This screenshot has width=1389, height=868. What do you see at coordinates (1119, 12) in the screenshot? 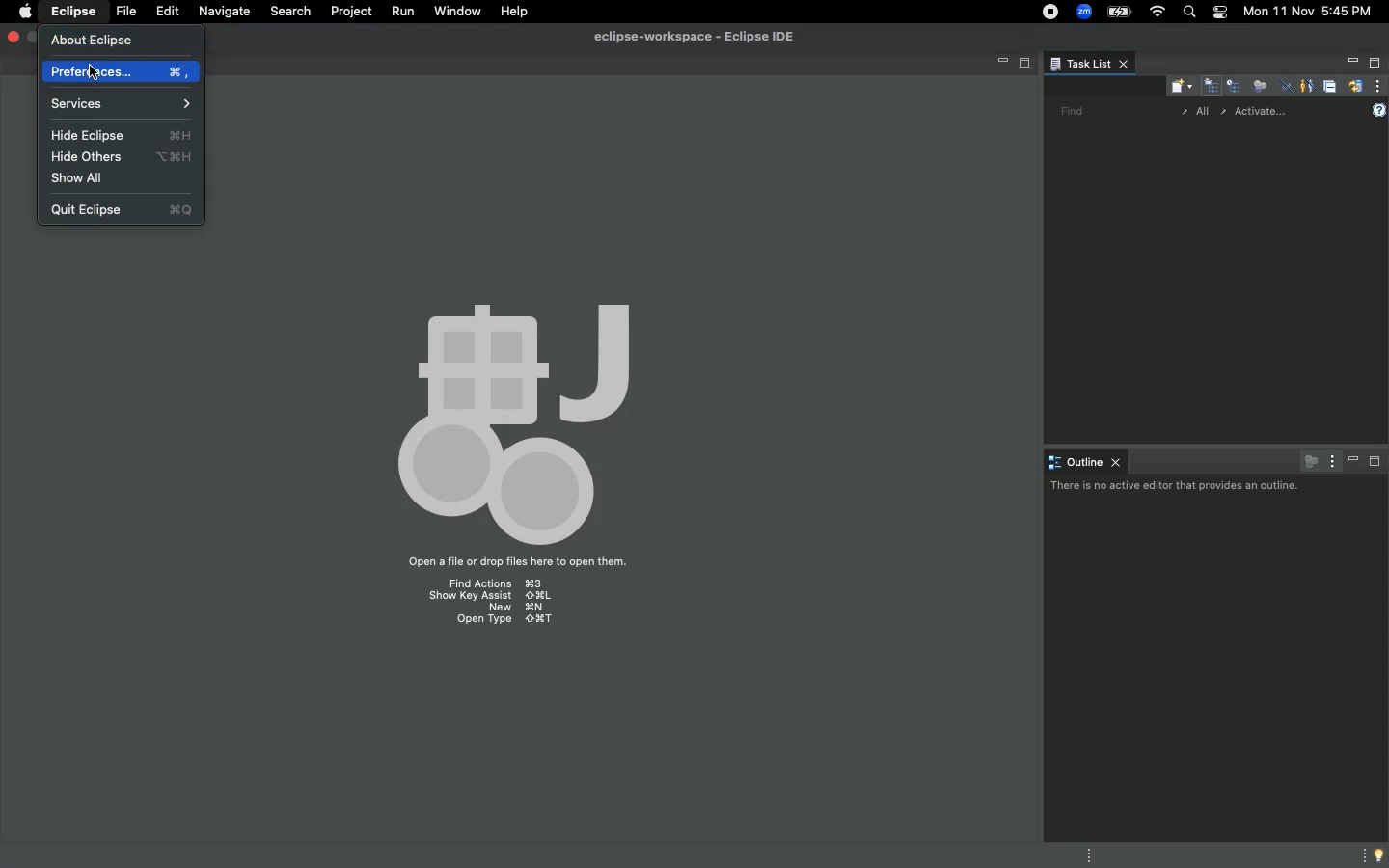
I see `Charge` at bounding box center [1119, 12].